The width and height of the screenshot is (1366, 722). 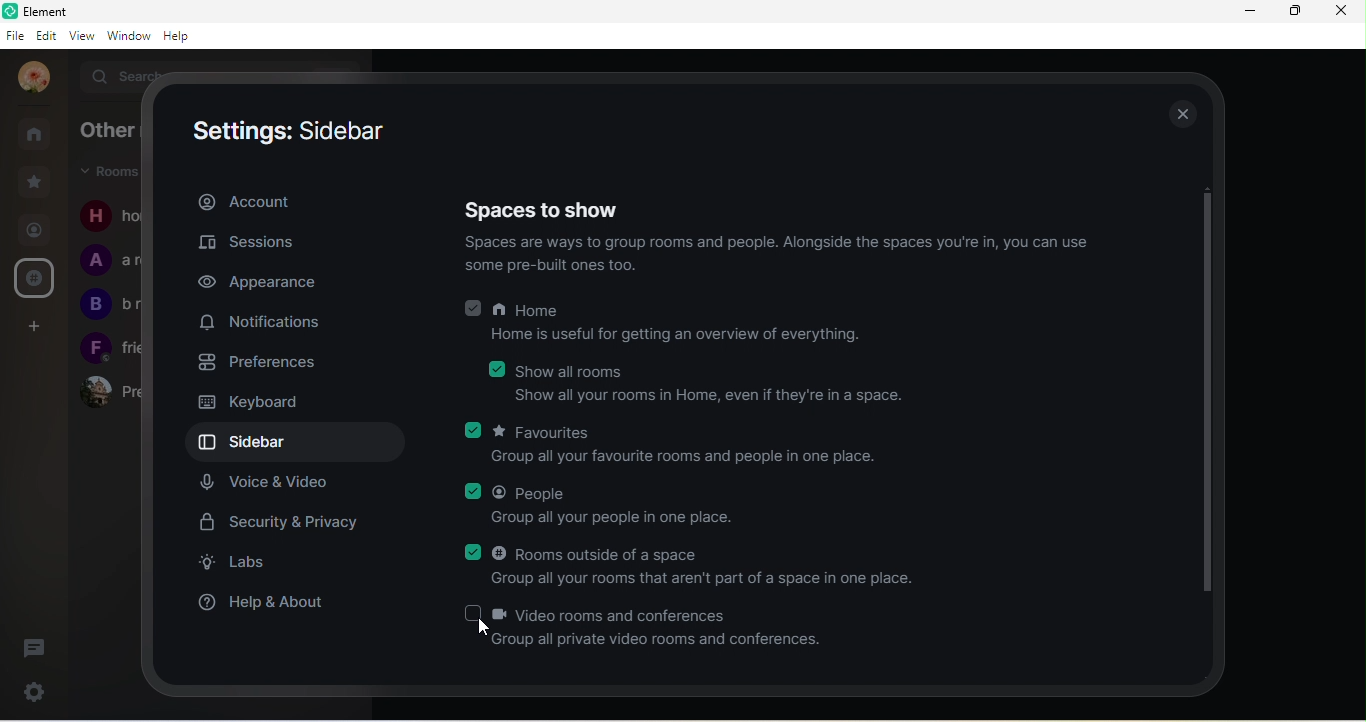 I want to click on sessions, so click(x=257, y=244).